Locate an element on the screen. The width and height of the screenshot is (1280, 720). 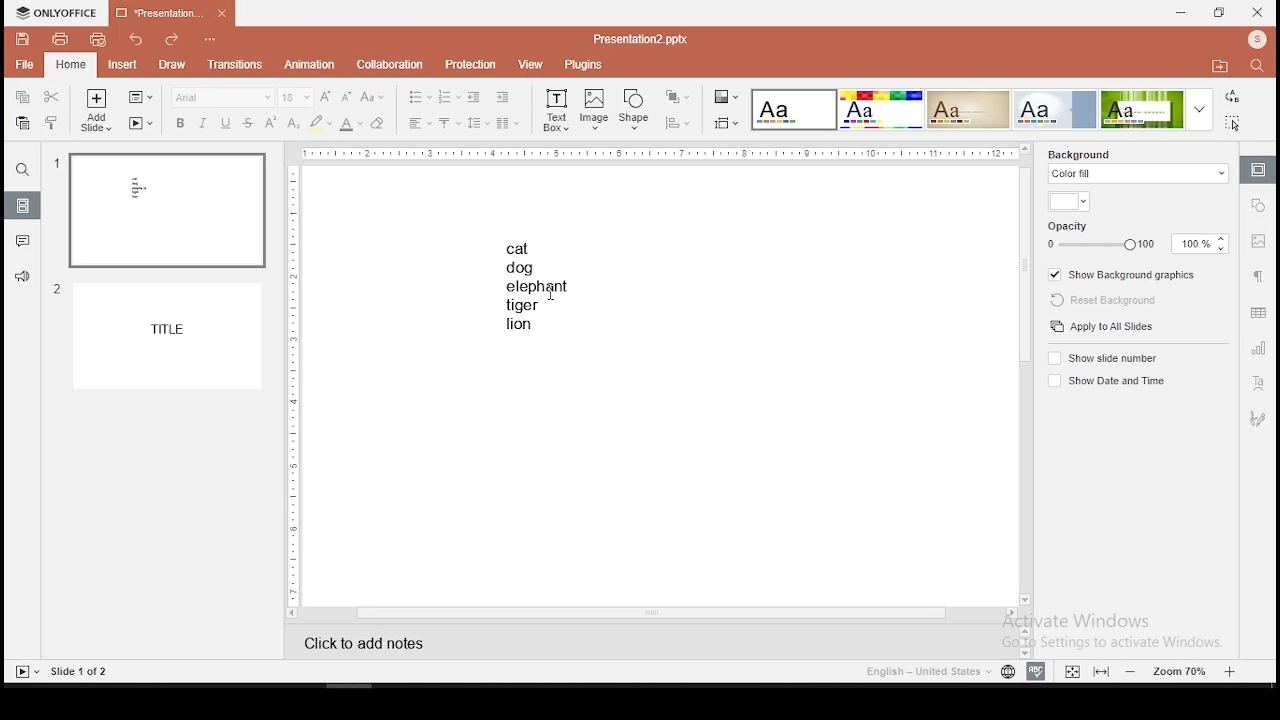
chart settings is located at coordinates (1257, 349).